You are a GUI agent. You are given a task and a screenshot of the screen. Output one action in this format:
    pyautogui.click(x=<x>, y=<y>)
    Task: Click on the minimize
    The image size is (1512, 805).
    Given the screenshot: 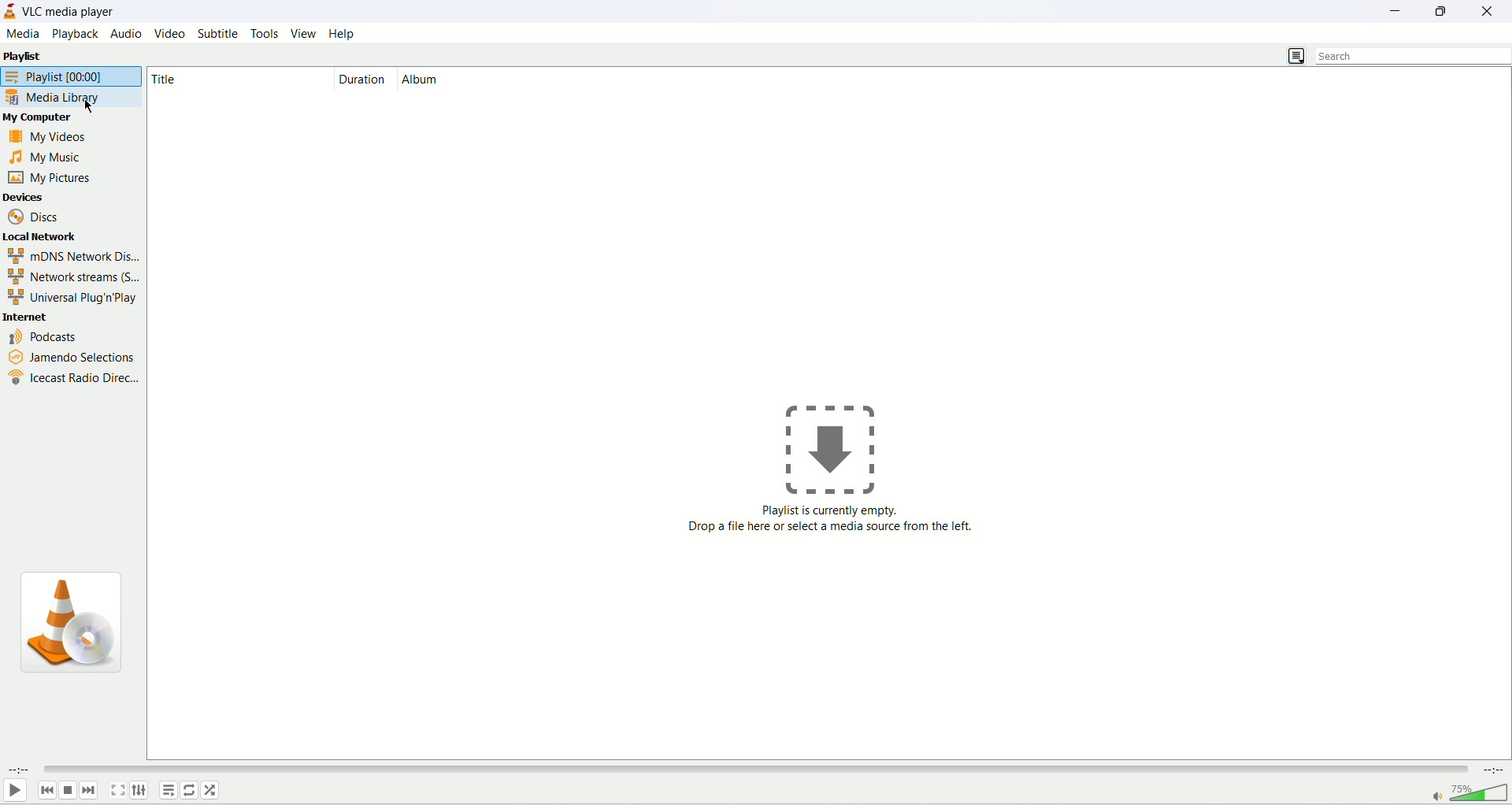 What is the action you would take?
    pyautogui.click(x=1400, y=9)
    